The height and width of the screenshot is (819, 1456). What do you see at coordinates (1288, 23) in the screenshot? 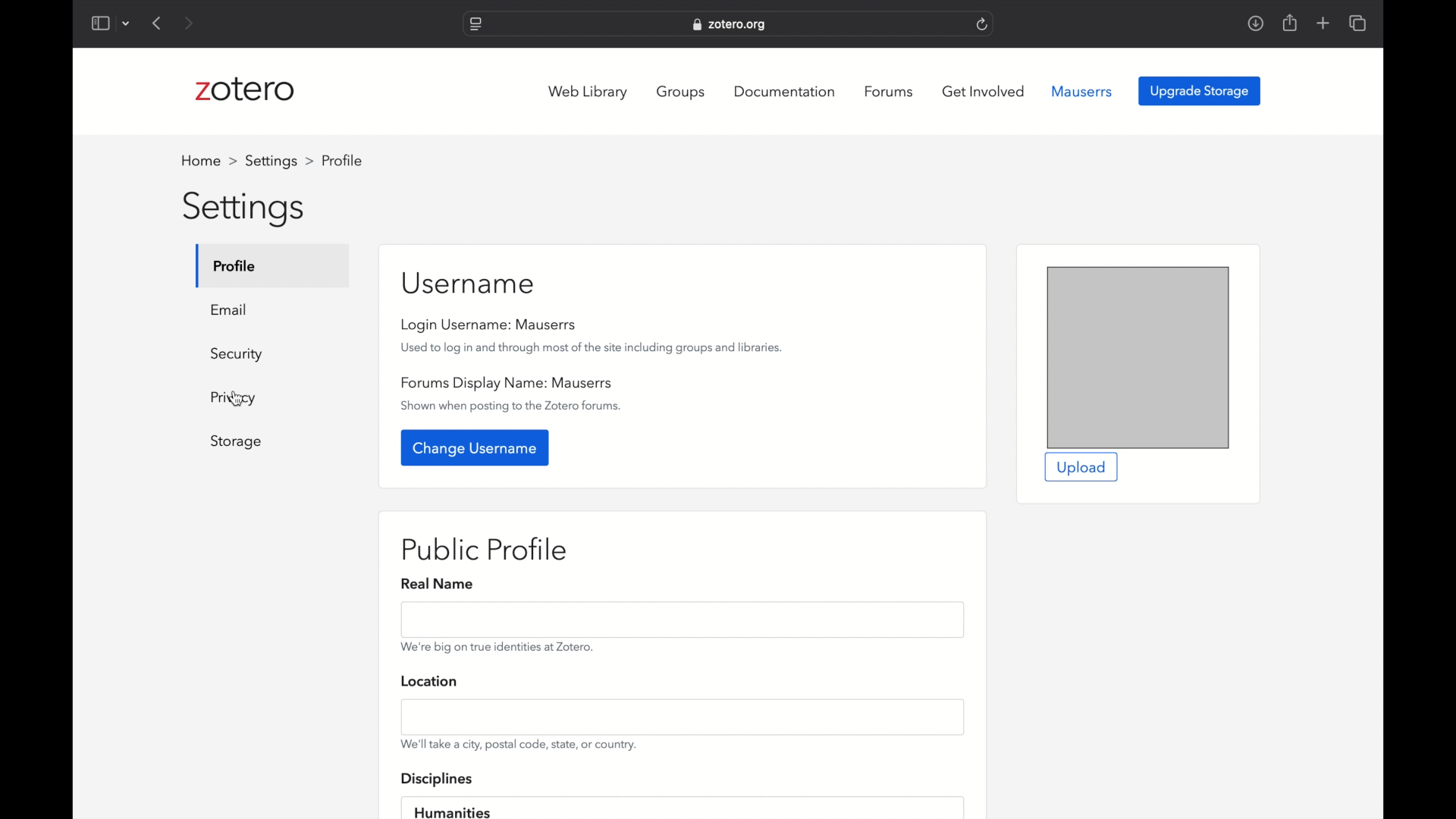
I see `share` at bounding box center [1288, 23].